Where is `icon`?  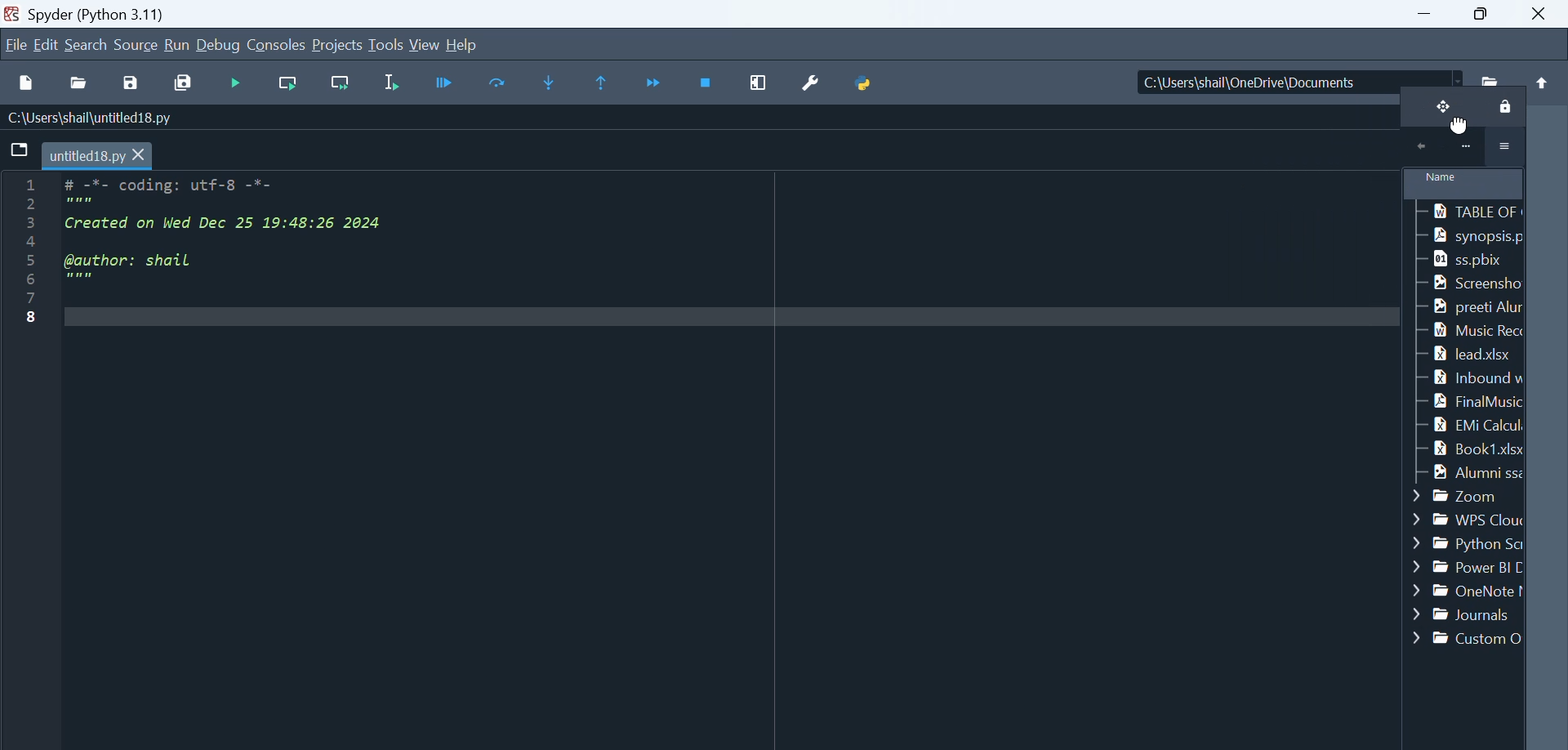 icon is located at coordinates (1463, 148).